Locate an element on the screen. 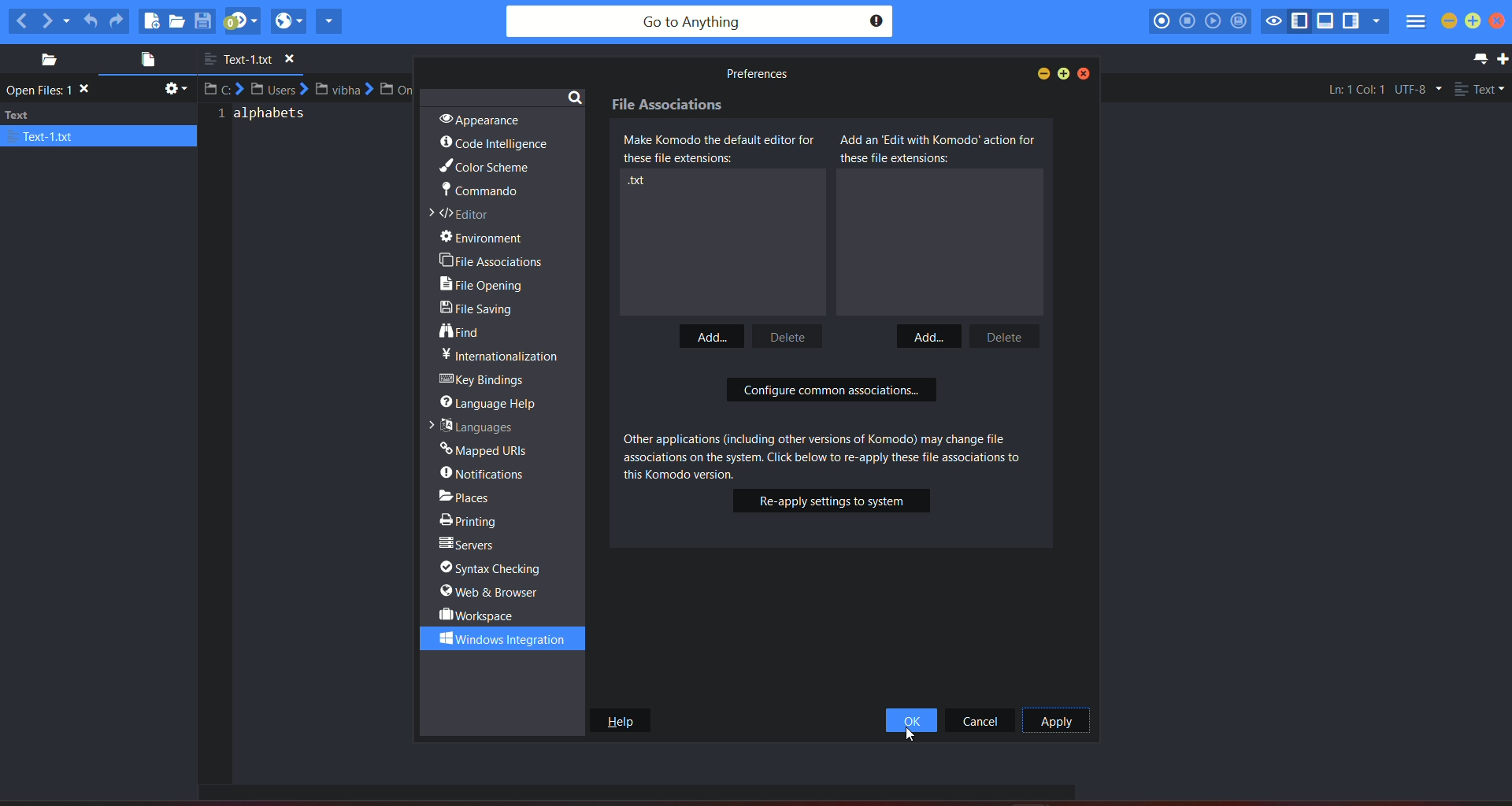  ok is located at coordinates (911, 721).